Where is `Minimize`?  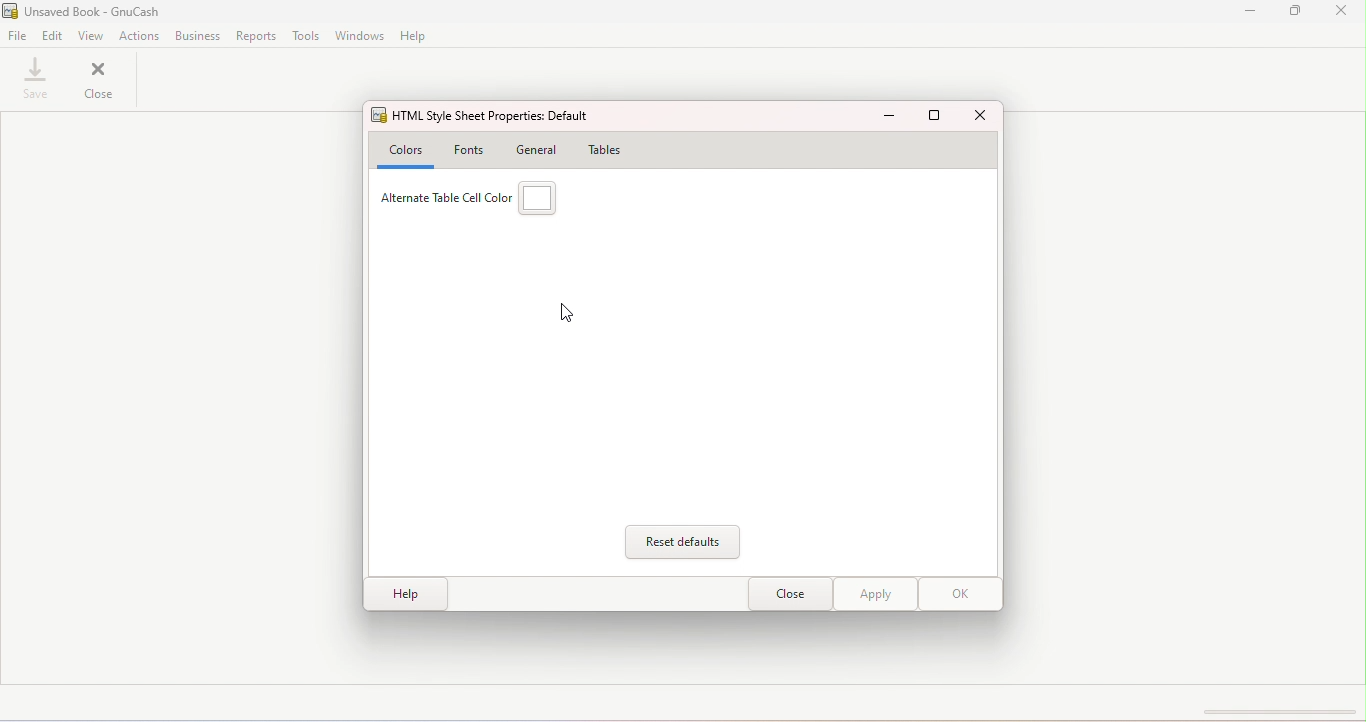 Minimize is located at coordinates (894, 117).